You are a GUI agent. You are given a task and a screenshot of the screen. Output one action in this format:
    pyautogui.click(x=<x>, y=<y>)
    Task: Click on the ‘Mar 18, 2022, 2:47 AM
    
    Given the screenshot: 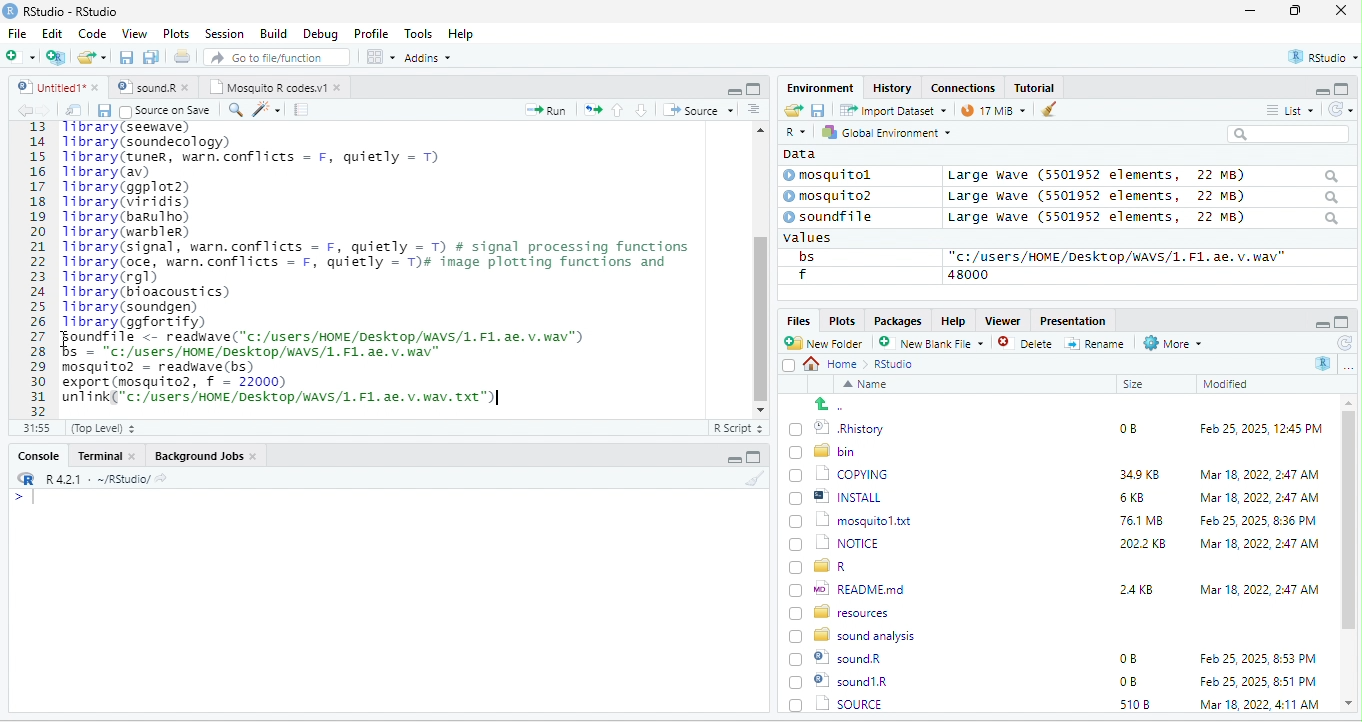 What is the action you would take?
    pyautogui.click(x=1258, y=544)
    